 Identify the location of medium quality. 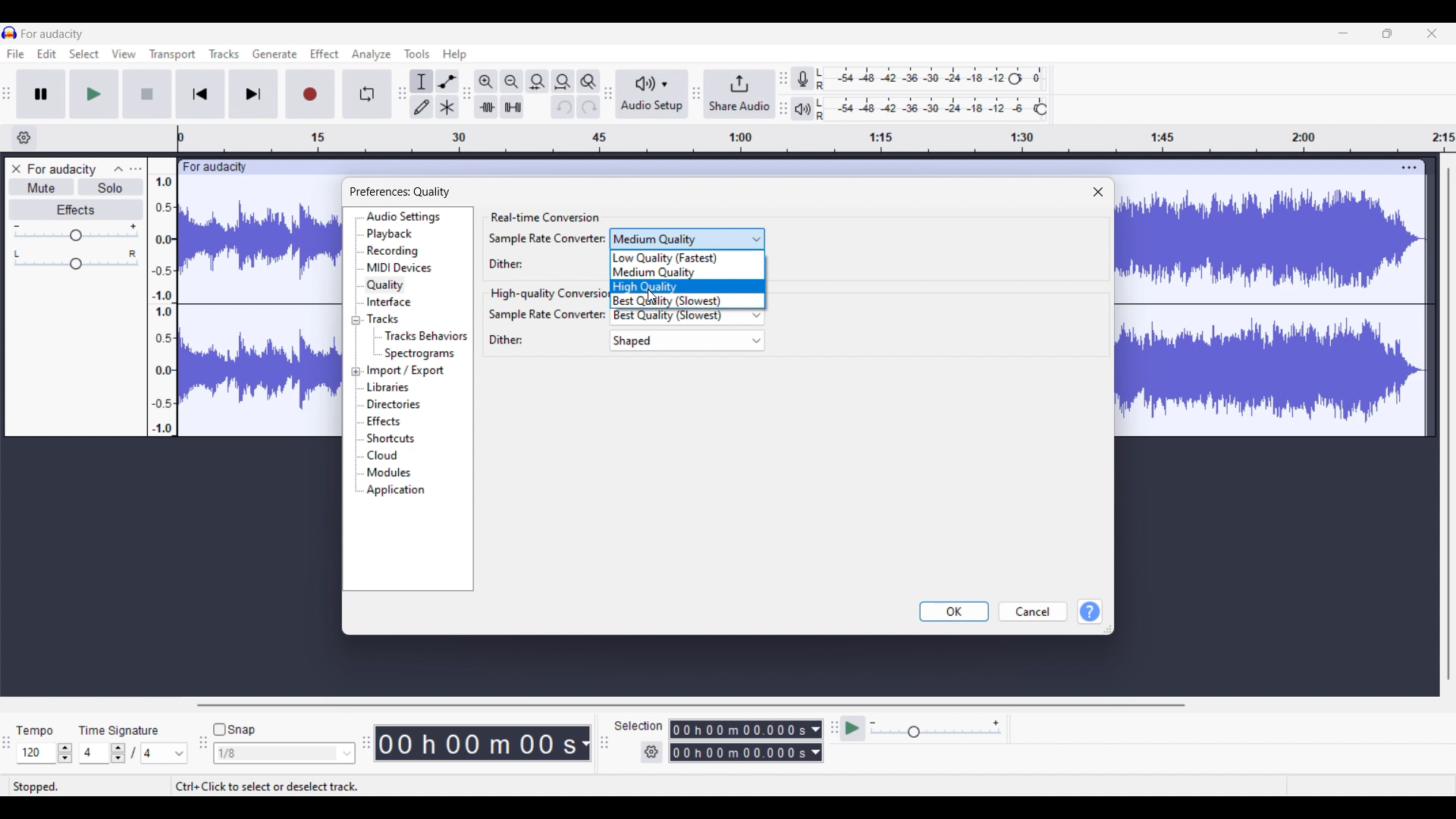
(687, 238).